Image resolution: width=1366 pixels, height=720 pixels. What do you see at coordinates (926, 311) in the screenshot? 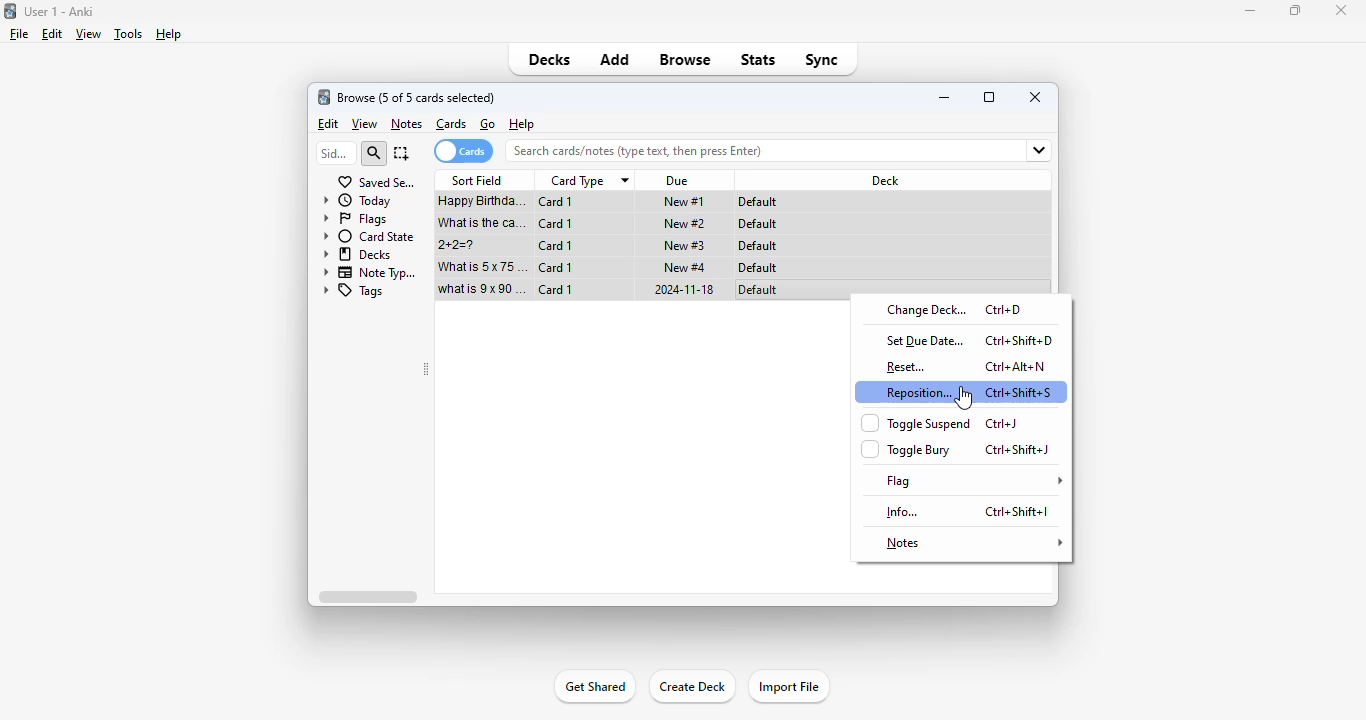
I see `change deck` at bounding box center [926, 311].